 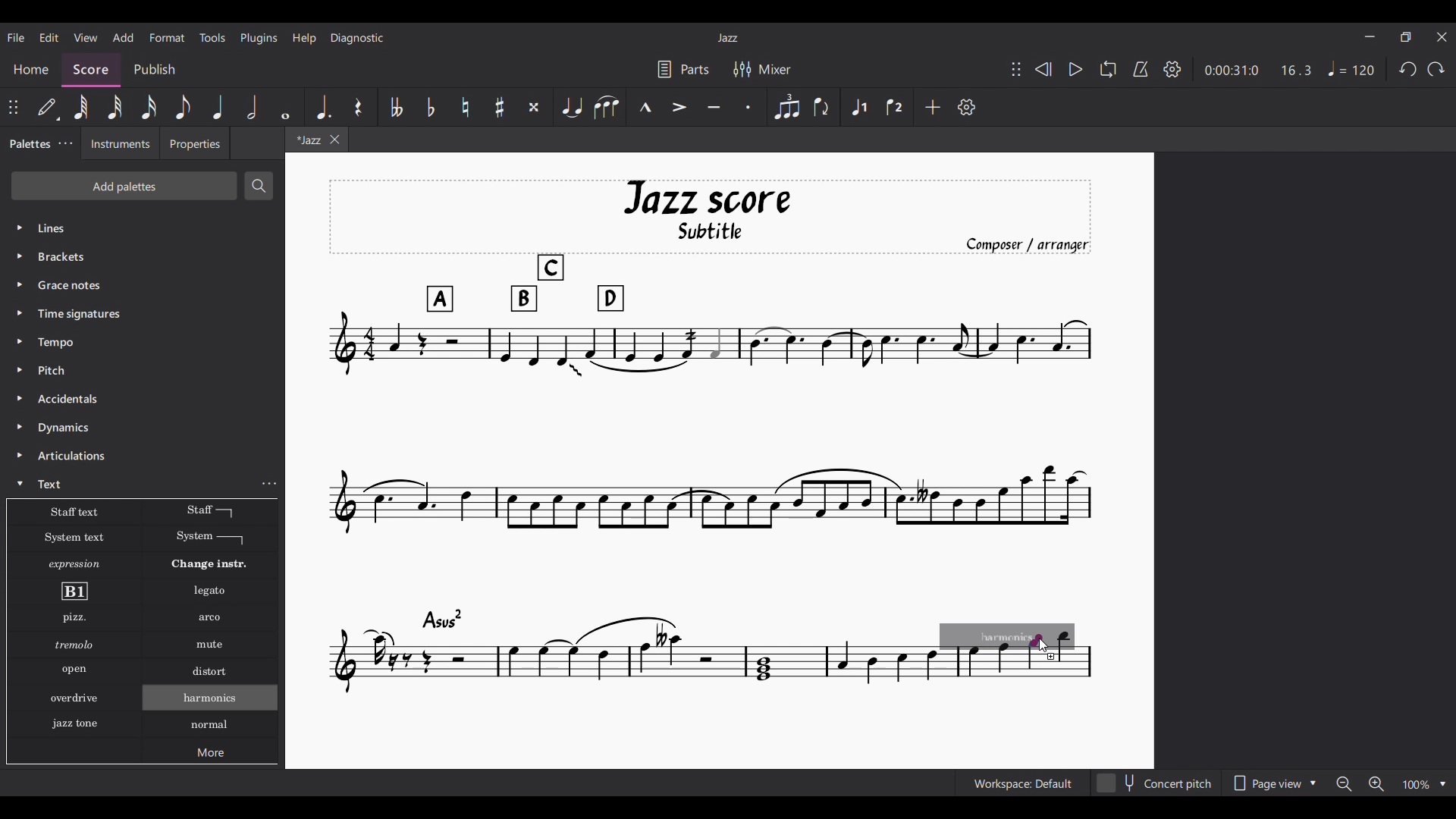 I want to click on Pizz, so click(x=73, y=619).